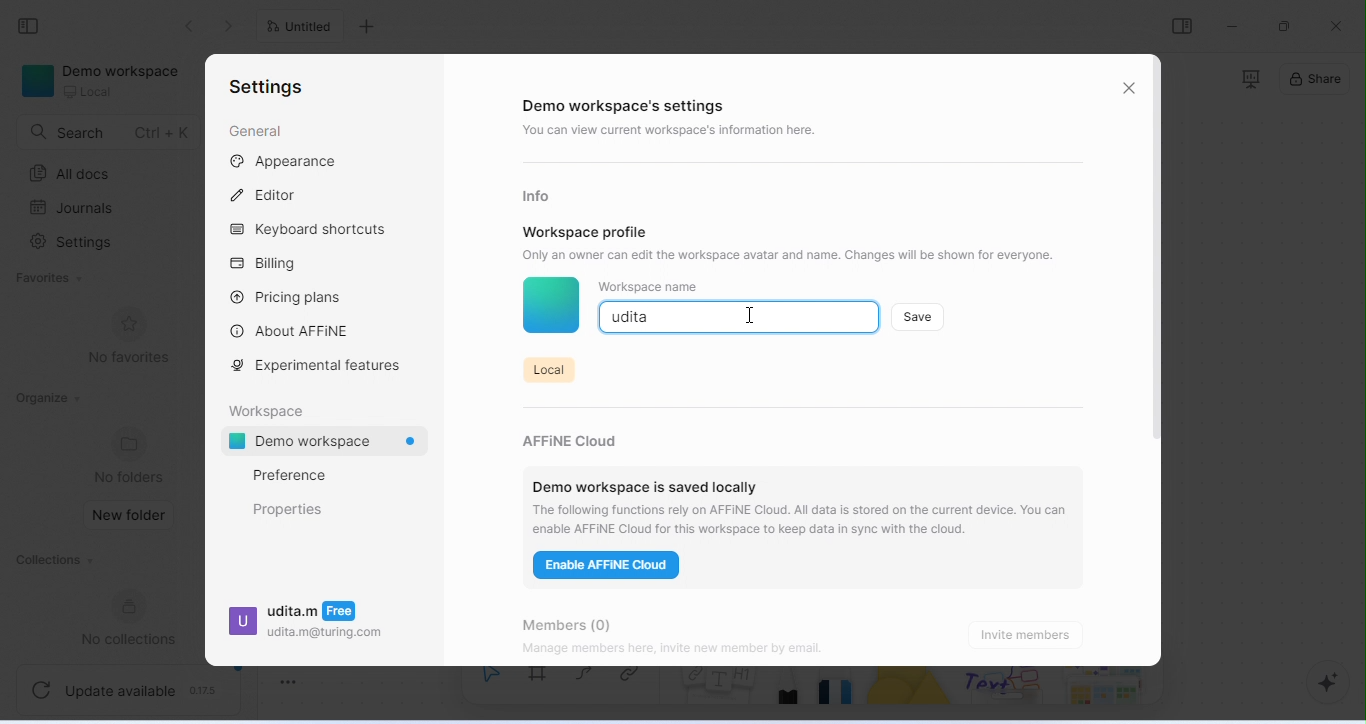 This screenshot has width=1366, height=724. I want to click on journals, so click(74, 208).